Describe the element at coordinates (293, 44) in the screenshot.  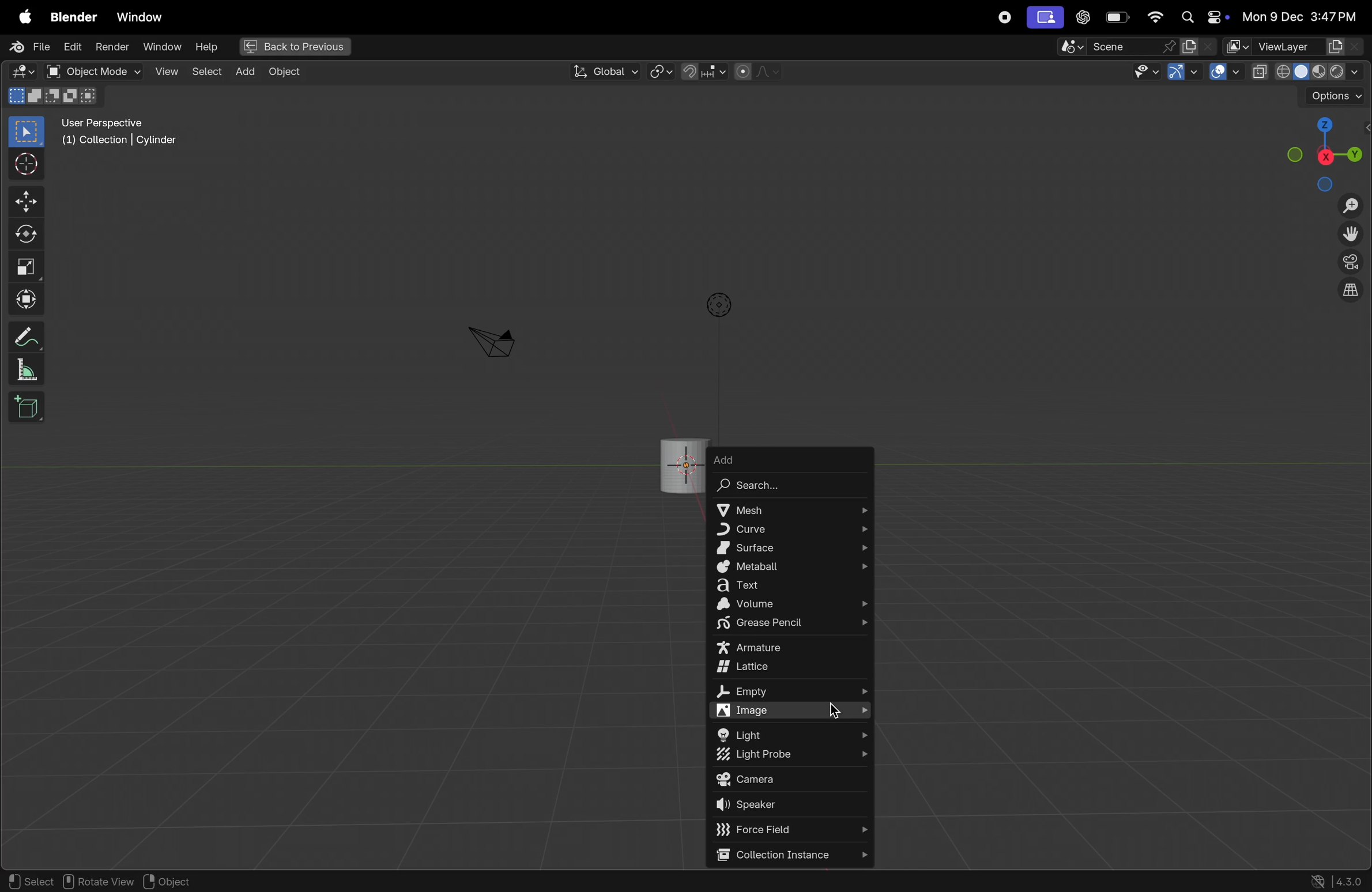
I see `back to previous` at that location.